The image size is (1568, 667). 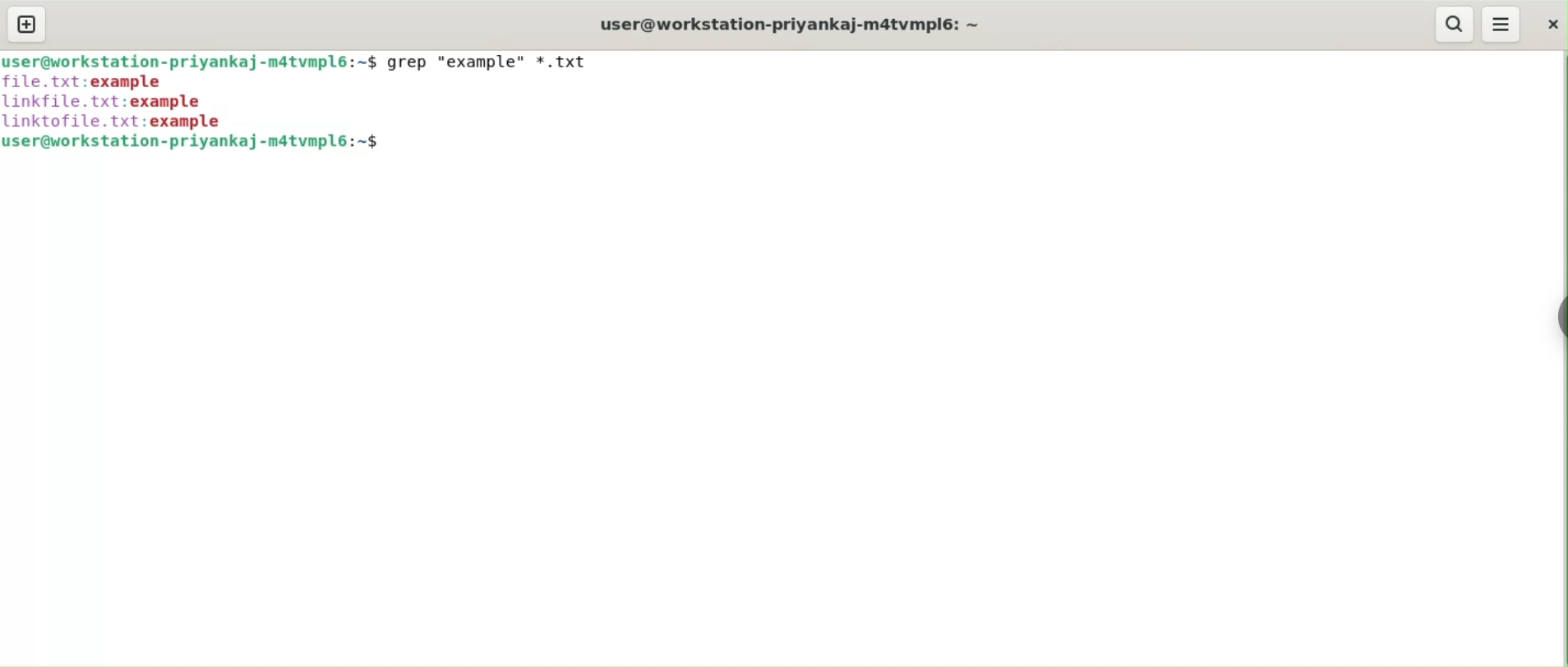 What do you see at coordinates (490, 61) in the screenshot?
I see `grep "example" *.txt` at bounding box center [490, 61].